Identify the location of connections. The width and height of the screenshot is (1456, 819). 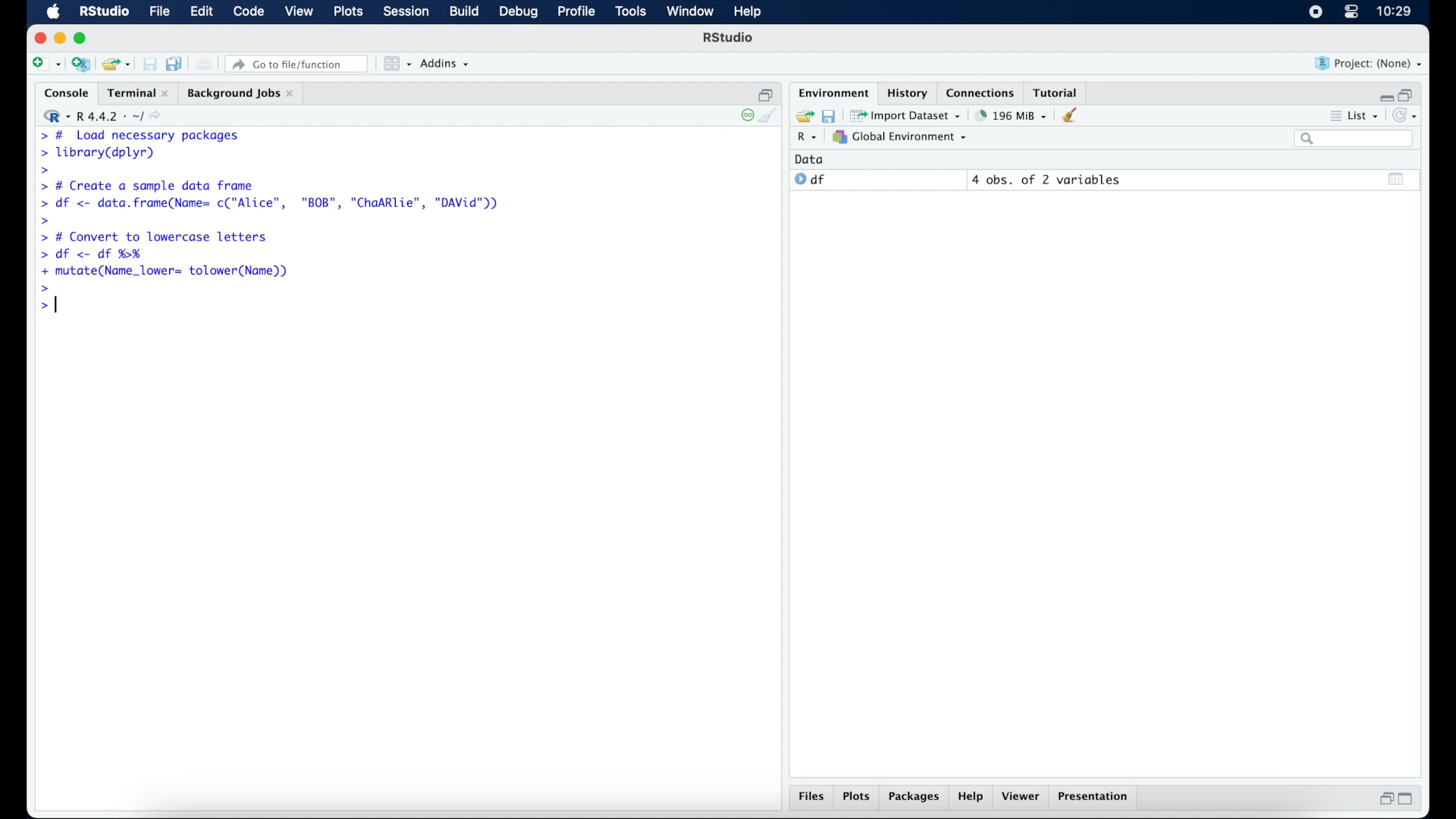
(982, 92).